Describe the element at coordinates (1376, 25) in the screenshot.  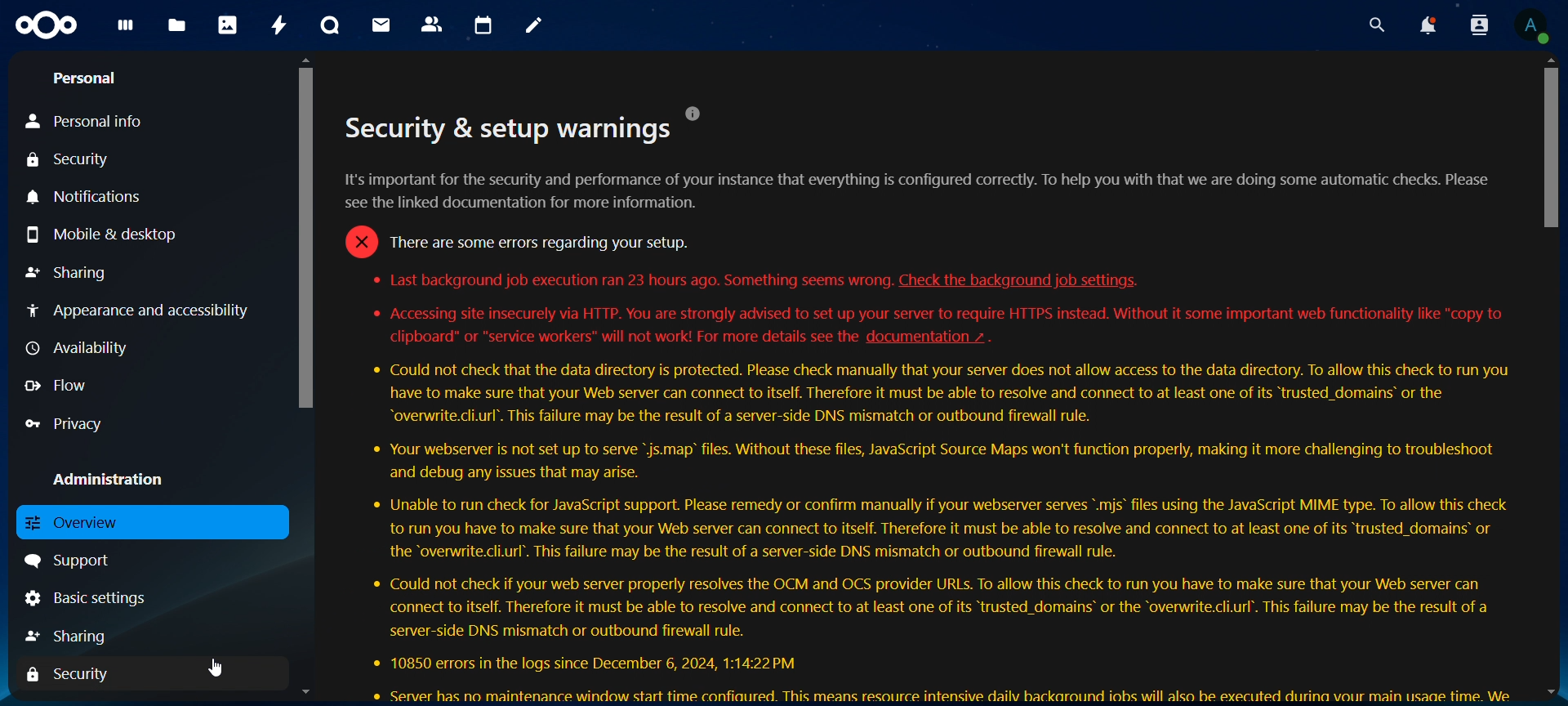
I see `search` at that location.